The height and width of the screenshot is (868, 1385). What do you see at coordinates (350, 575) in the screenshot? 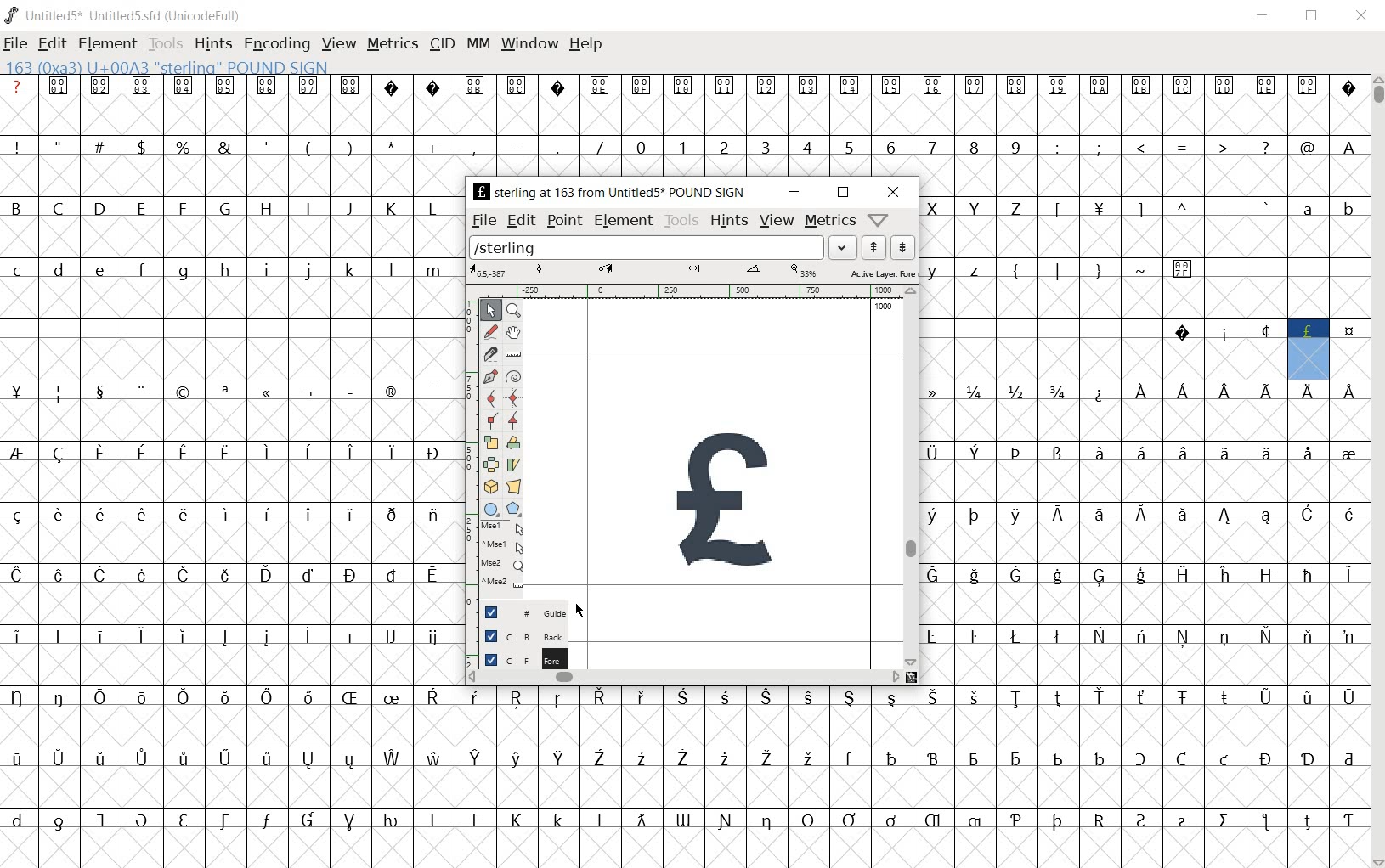
I see `Symbol` at bounding box center [350, 575].